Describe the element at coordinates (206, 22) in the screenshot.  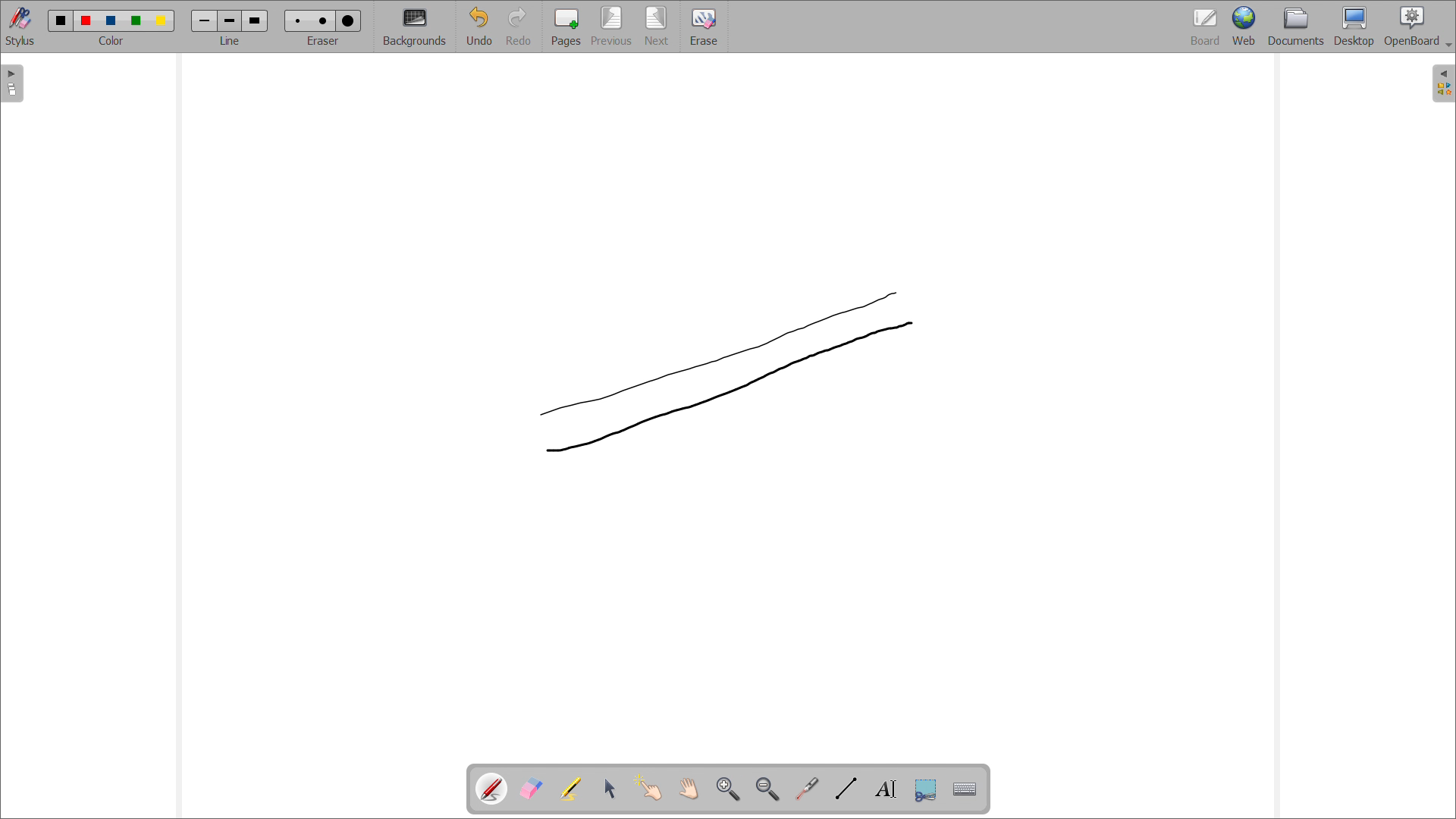
I see `line width size` at that location.